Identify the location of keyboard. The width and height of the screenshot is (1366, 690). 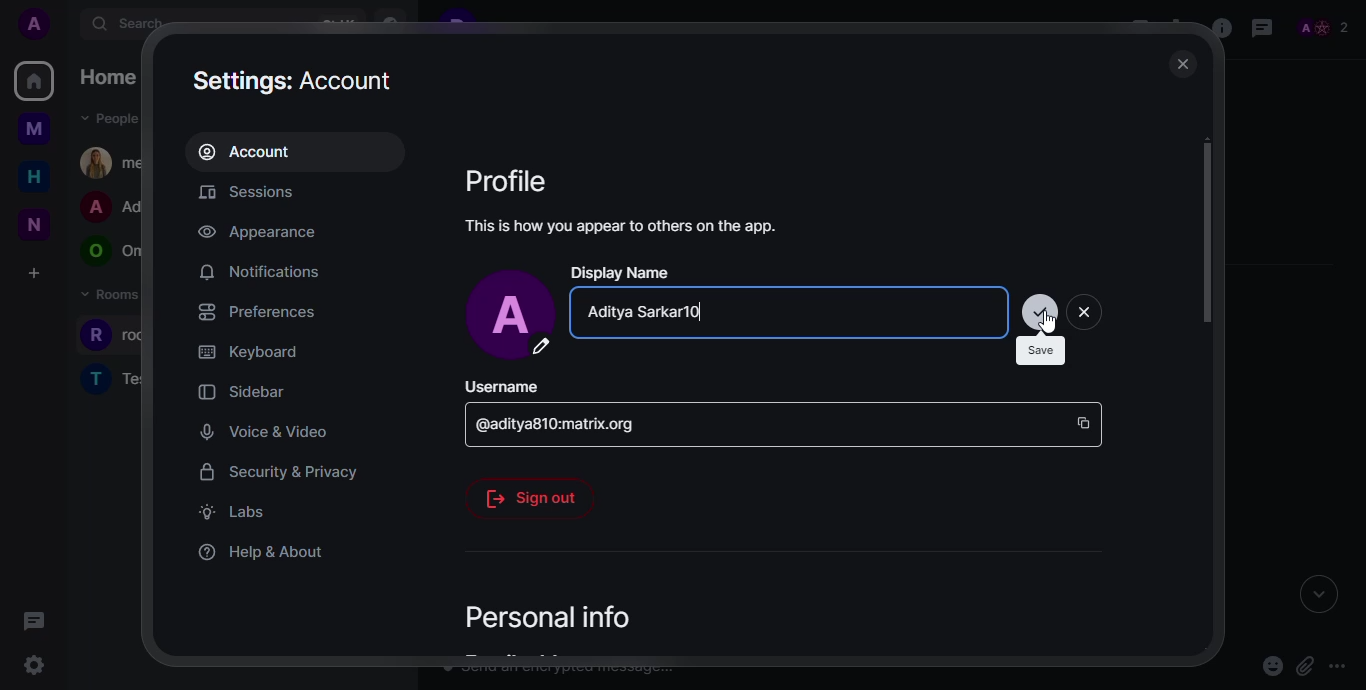
(248, 350).